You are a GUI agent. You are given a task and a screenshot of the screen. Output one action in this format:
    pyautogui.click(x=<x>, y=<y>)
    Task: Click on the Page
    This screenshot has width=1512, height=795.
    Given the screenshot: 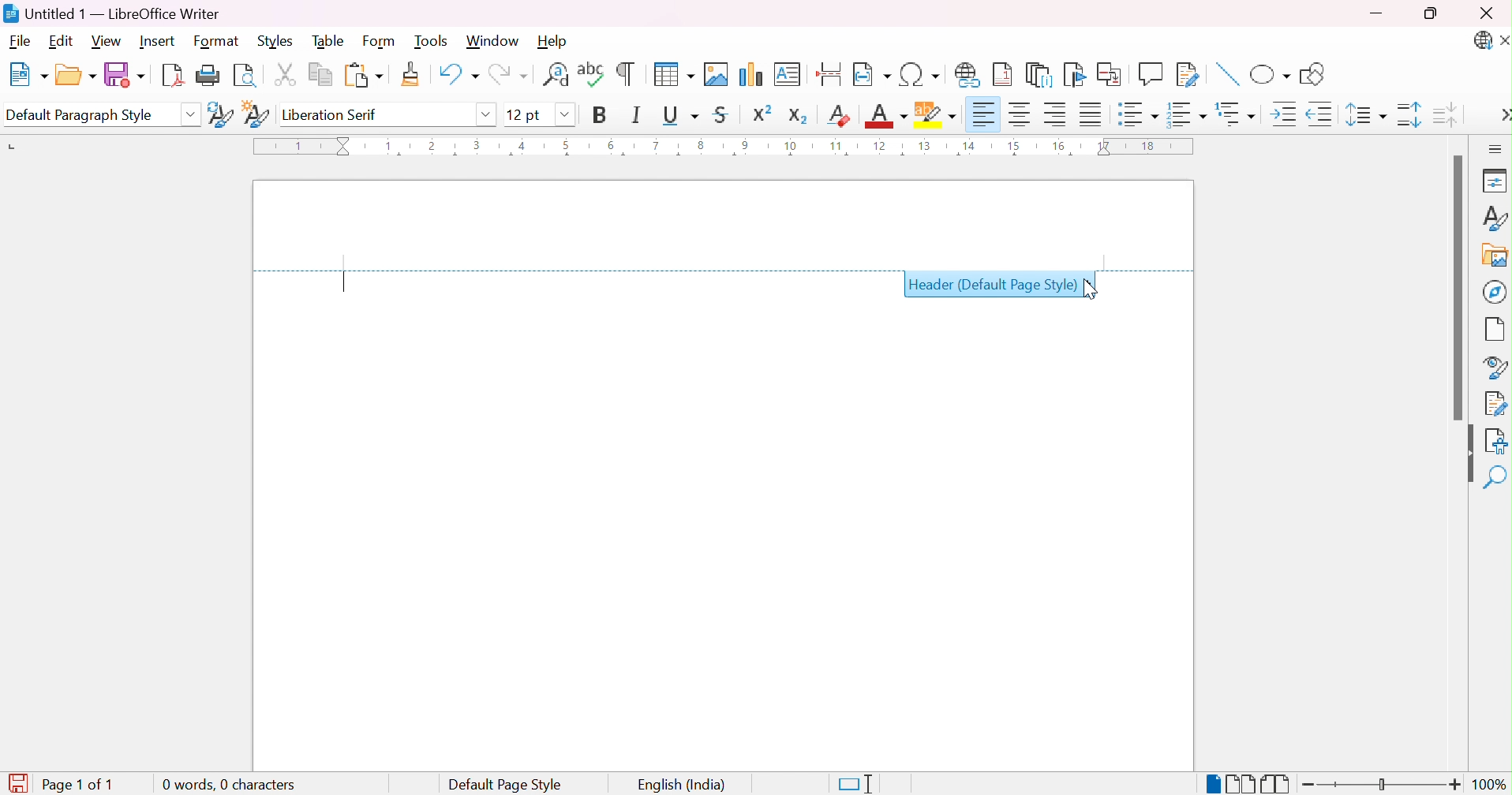 What is the action you would take?
    pyautogui.click(x=1497, y=331)
    